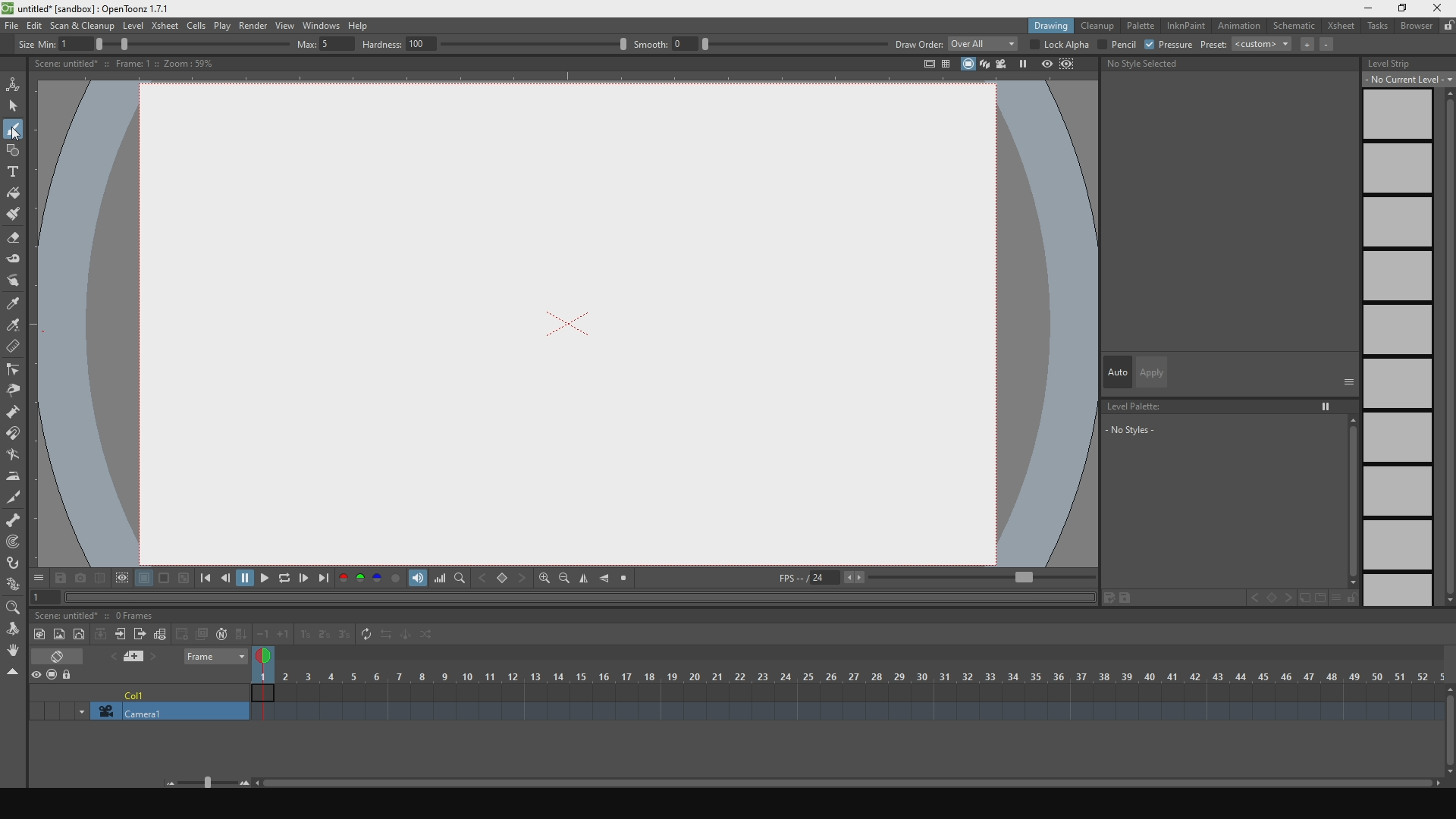  I want to click on draw, so click(14, 127).